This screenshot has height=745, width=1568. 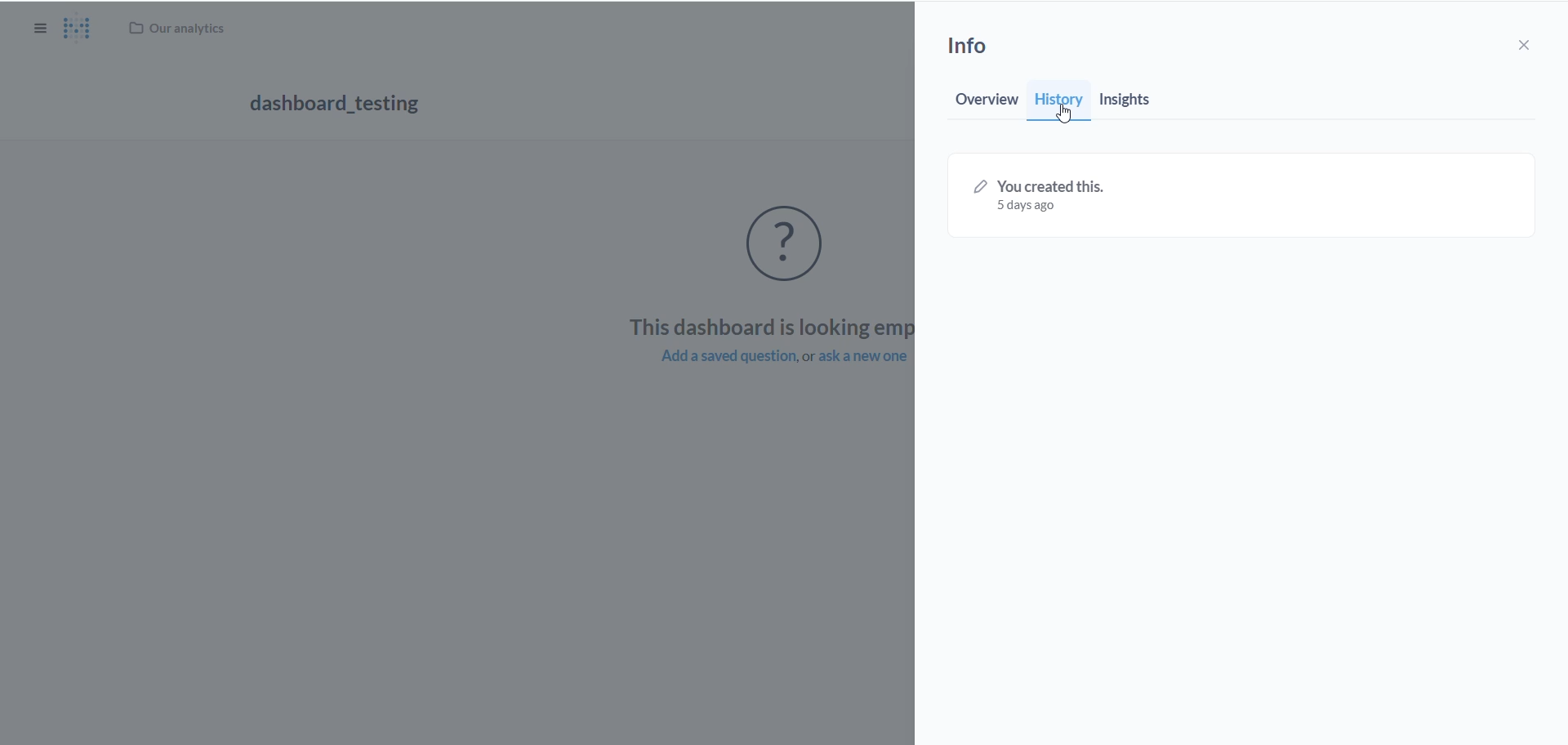 I want to click on ask a new question, so click(x=863, y=358).